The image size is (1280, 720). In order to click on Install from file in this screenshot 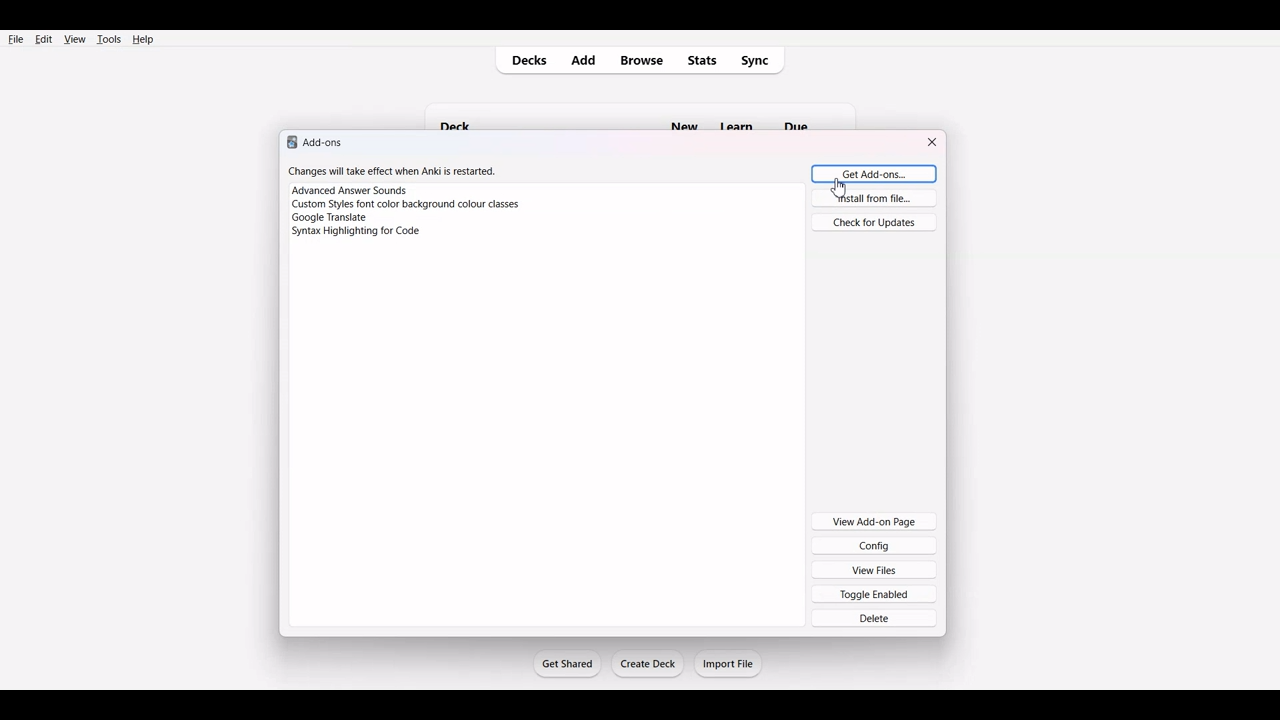, I will do `click(873, 198)`.